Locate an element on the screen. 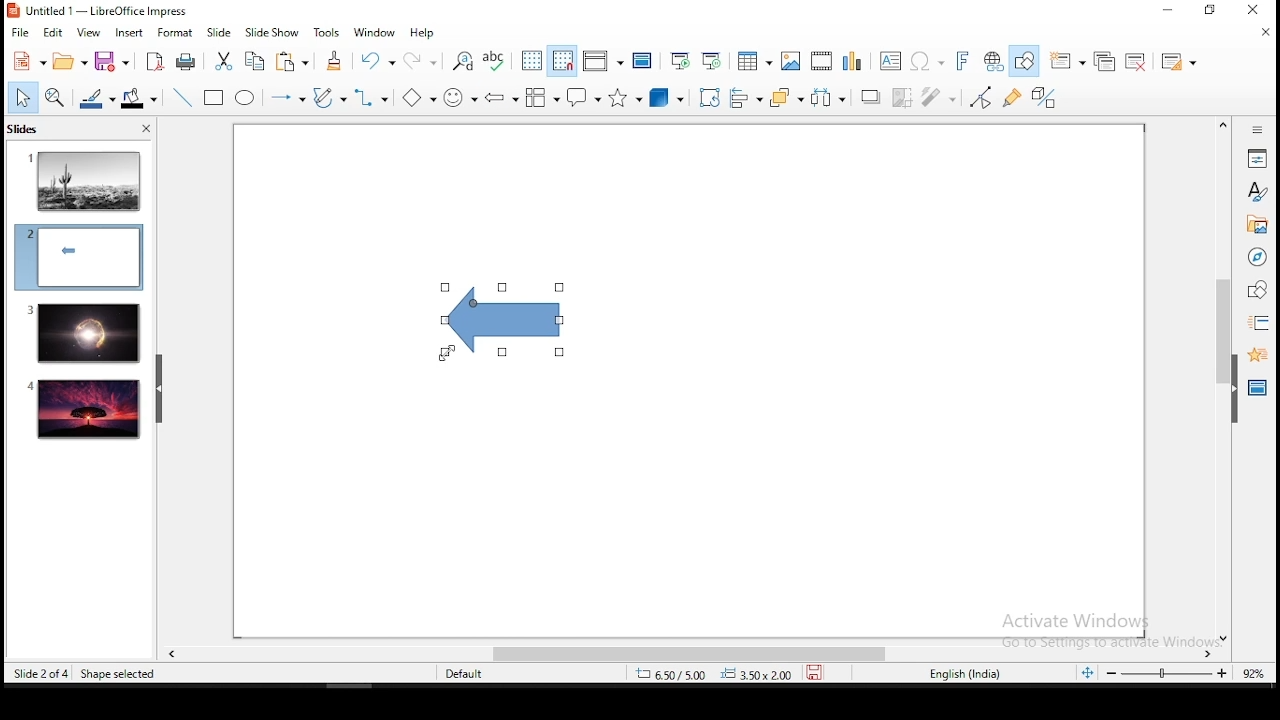  start from current slide is located at coordinates (713, 60).